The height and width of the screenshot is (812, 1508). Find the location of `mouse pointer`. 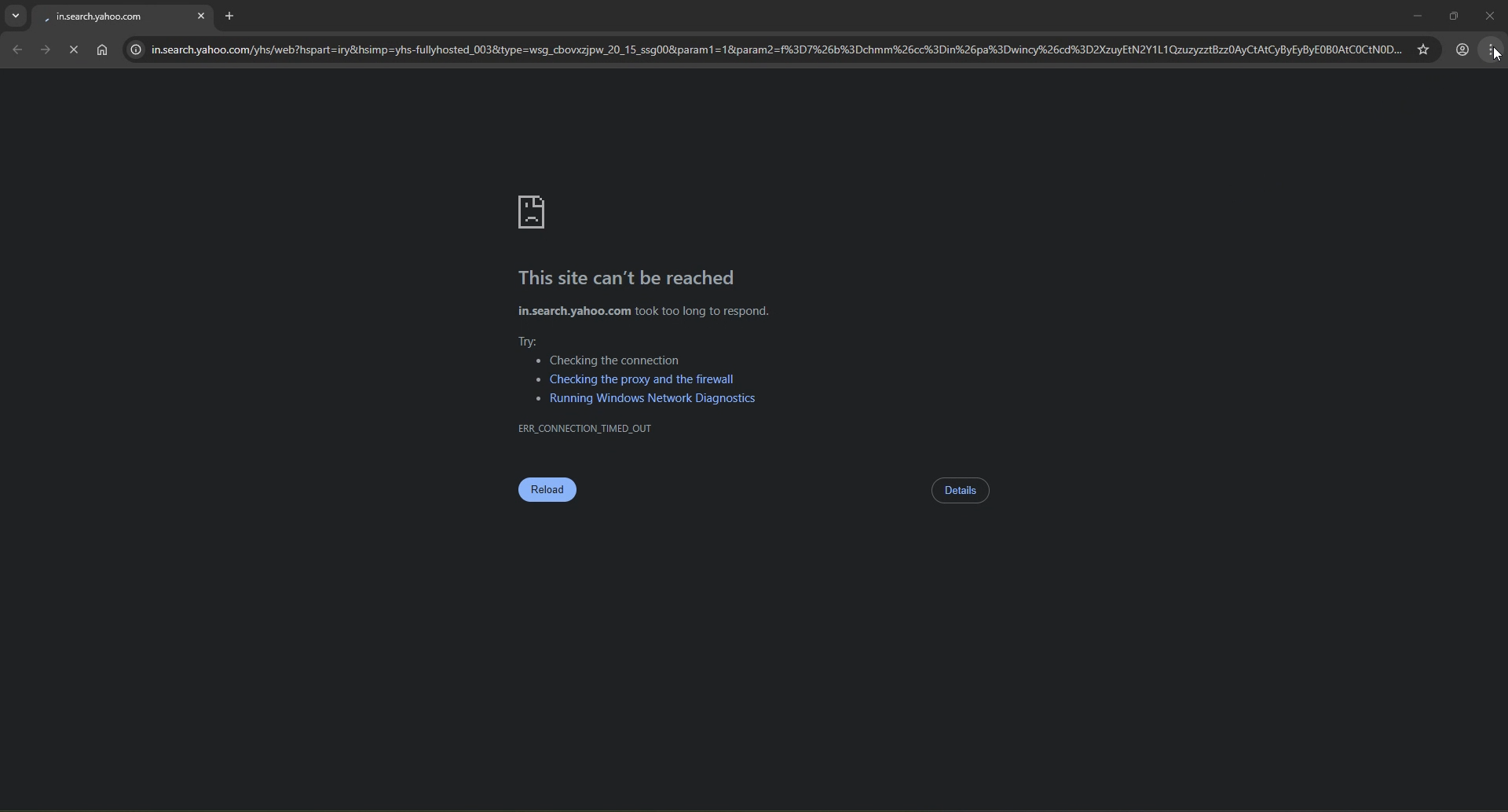

mouse pointer is located at coordinates (1494, 56).